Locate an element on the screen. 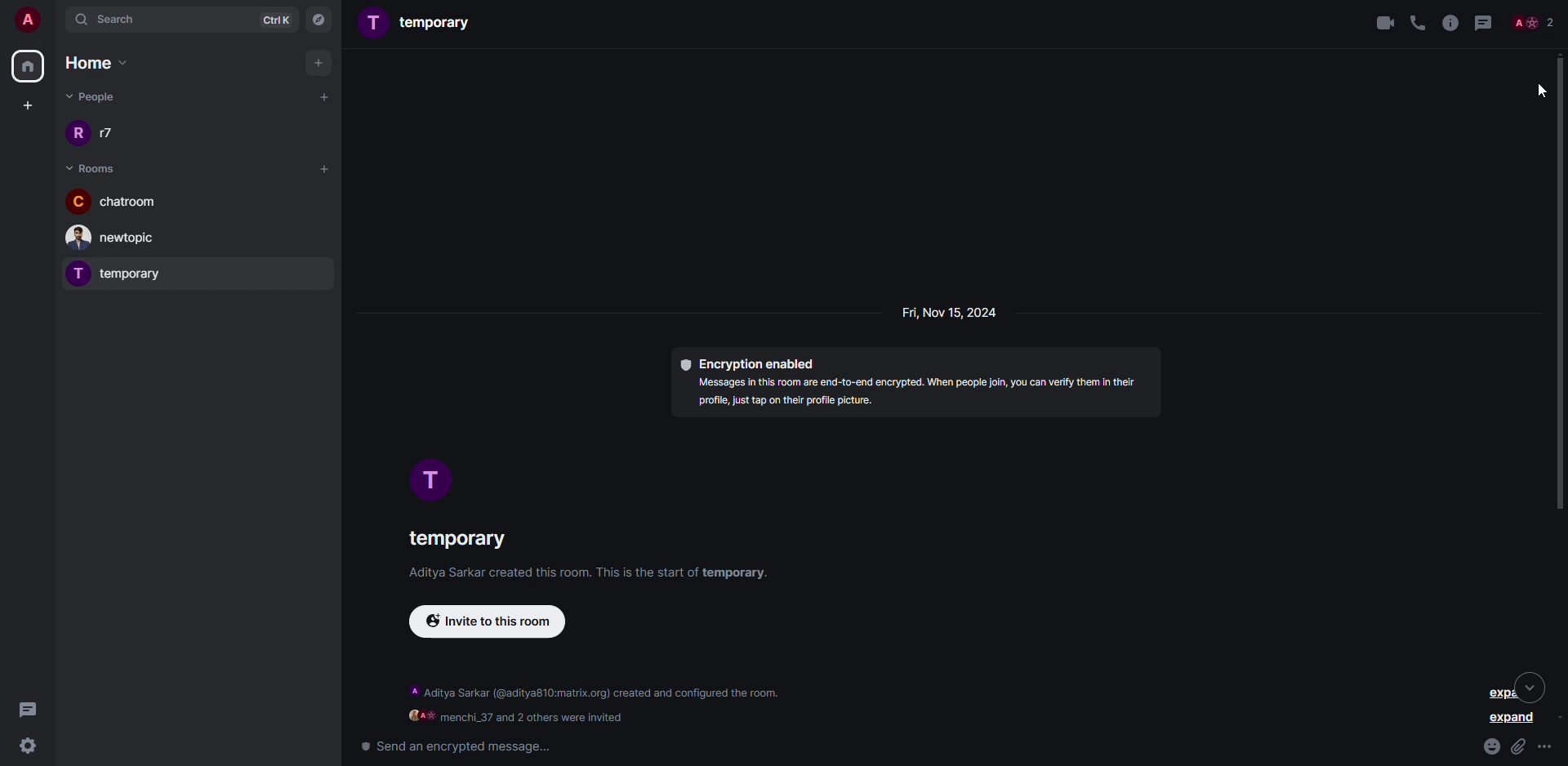 The image size is (1568, 766). day is located at coordinates (944, 314).